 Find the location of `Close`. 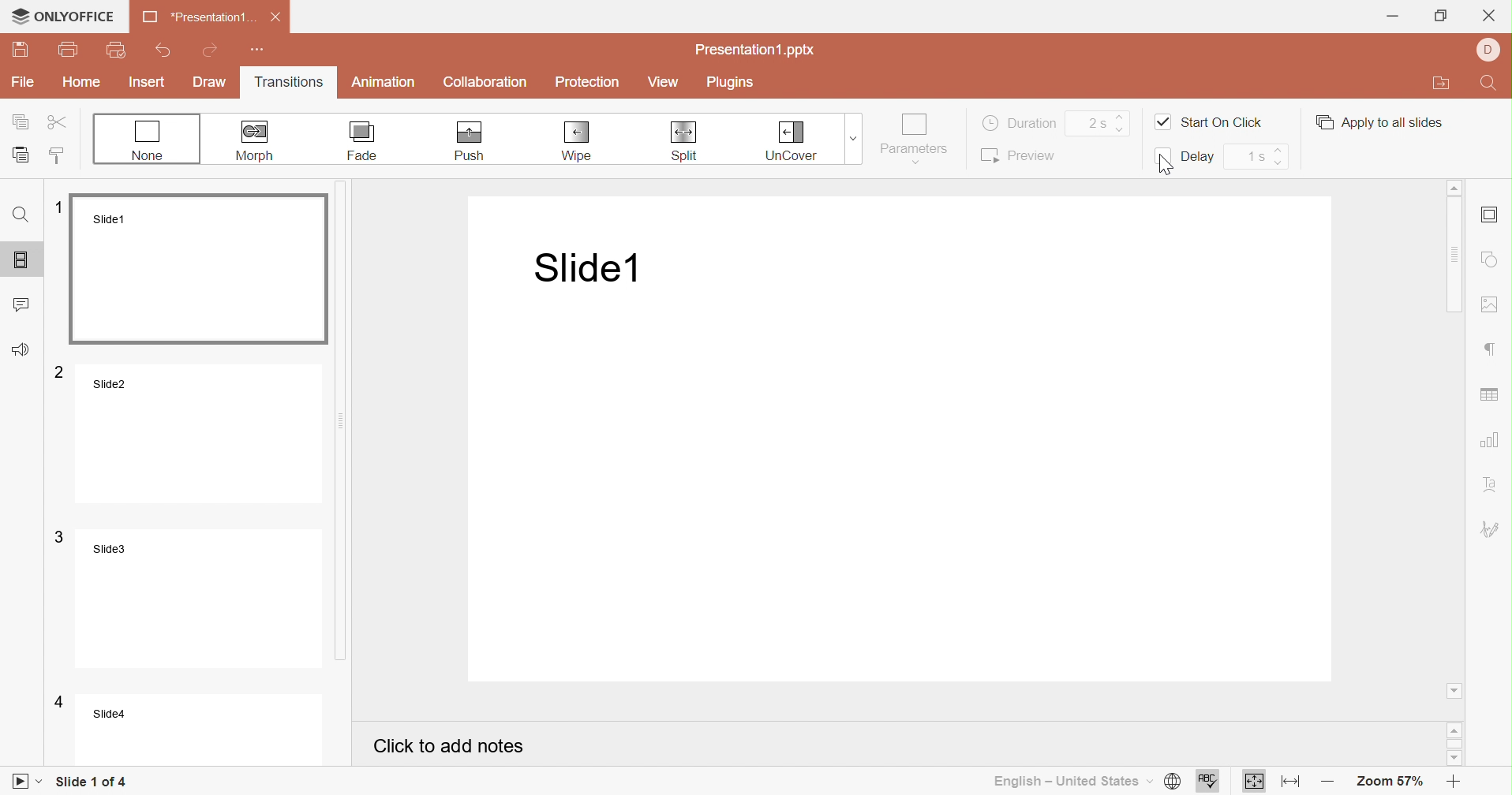

Close is located at coordinates (276, 17).